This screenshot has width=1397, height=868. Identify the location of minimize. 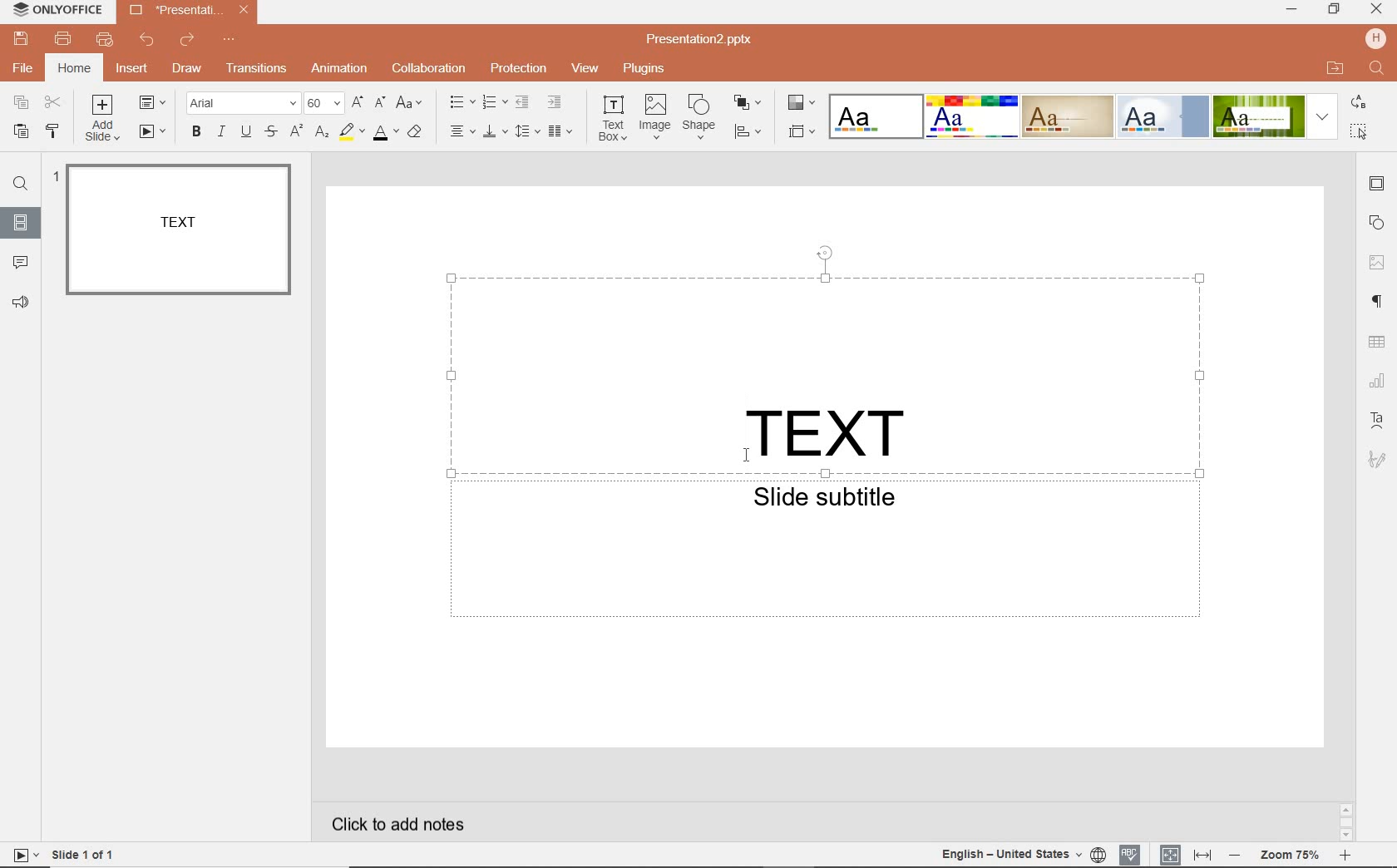
(1291, 10).